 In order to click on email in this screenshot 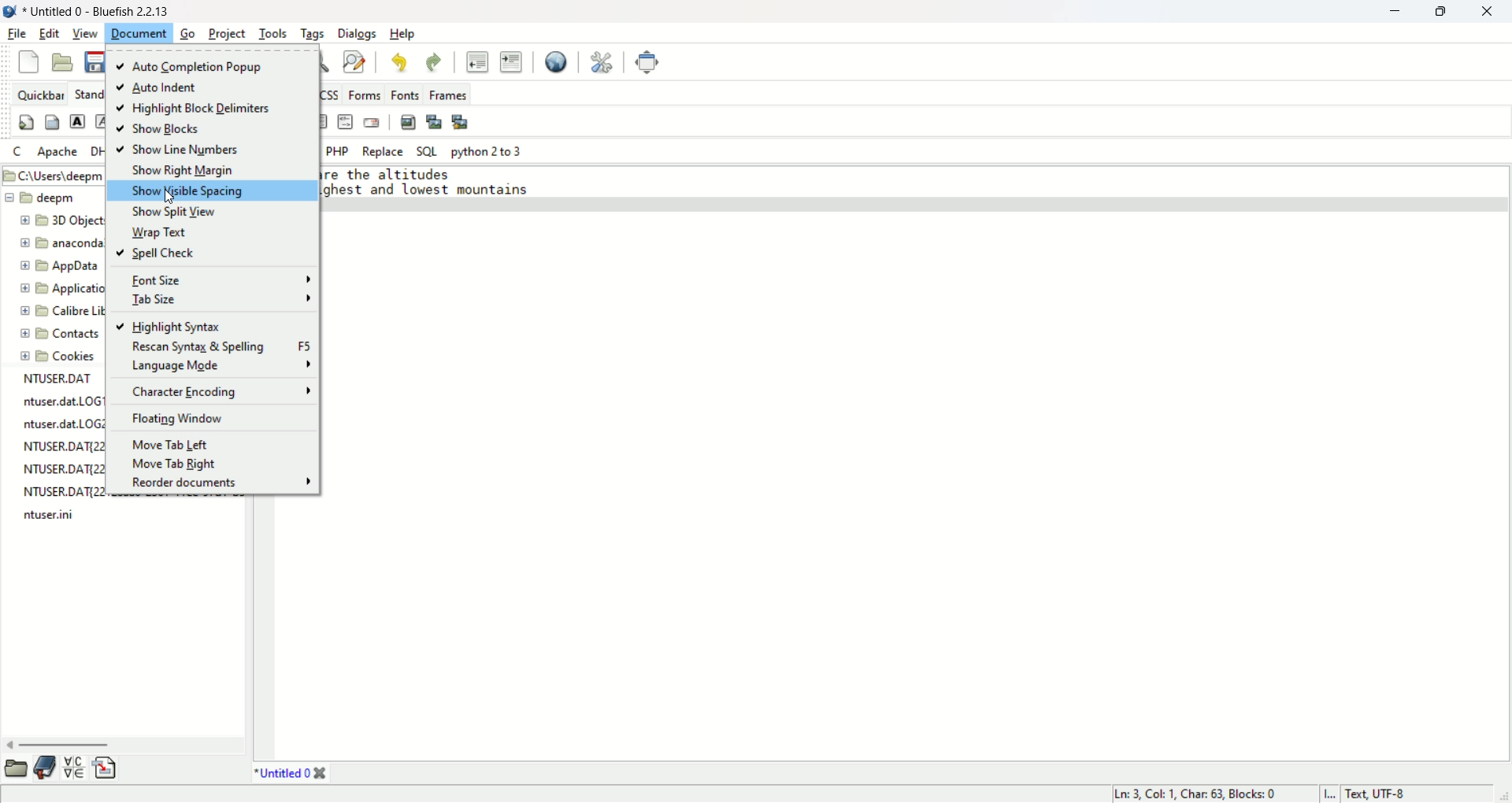, I will do `click(373, 122)`.